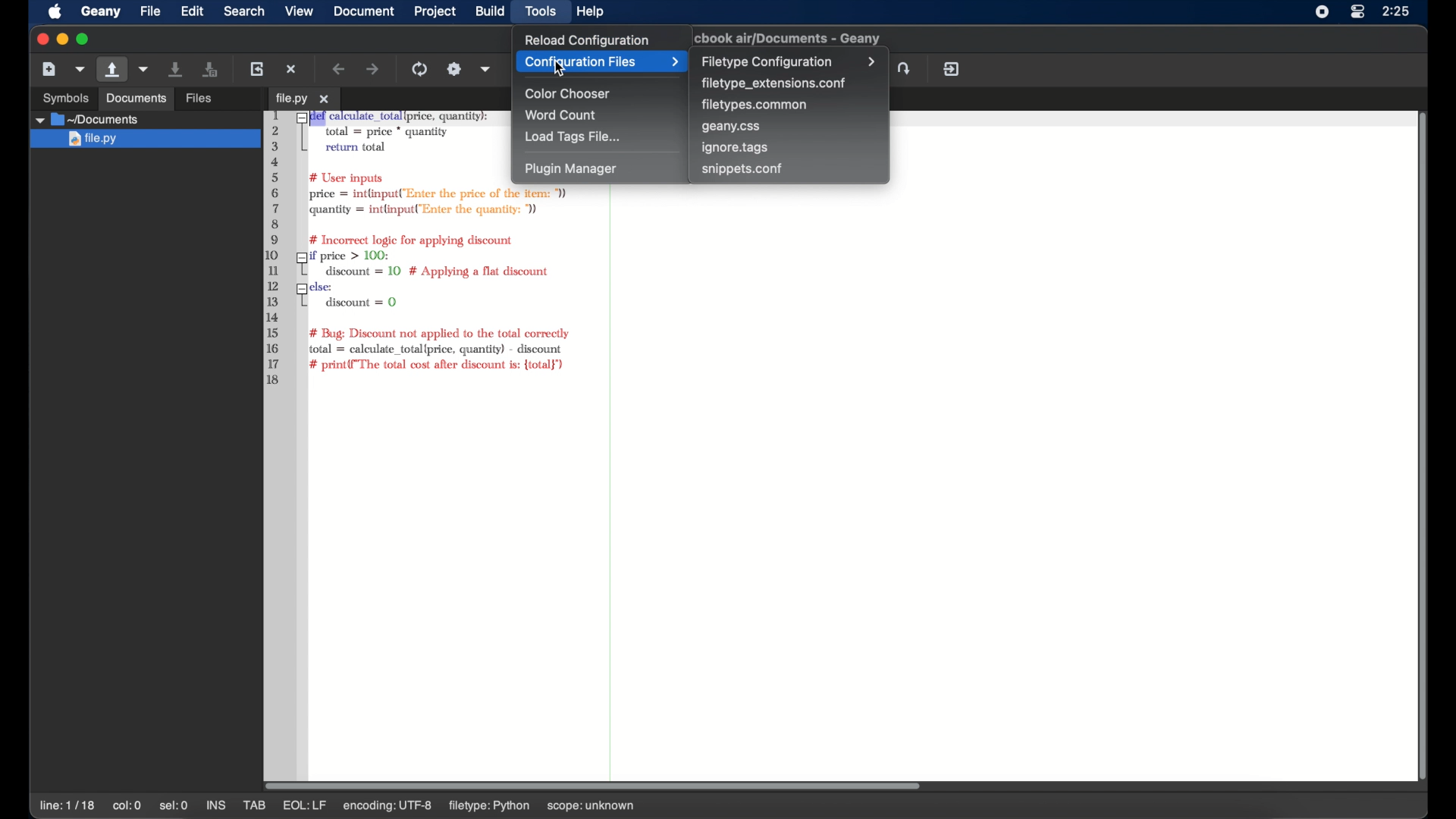 The width and height of the screenshot is (1456, 819). Describe the element at coordinates (433, 805) in the screenshot. I see `encoding: utf-8` at that location.